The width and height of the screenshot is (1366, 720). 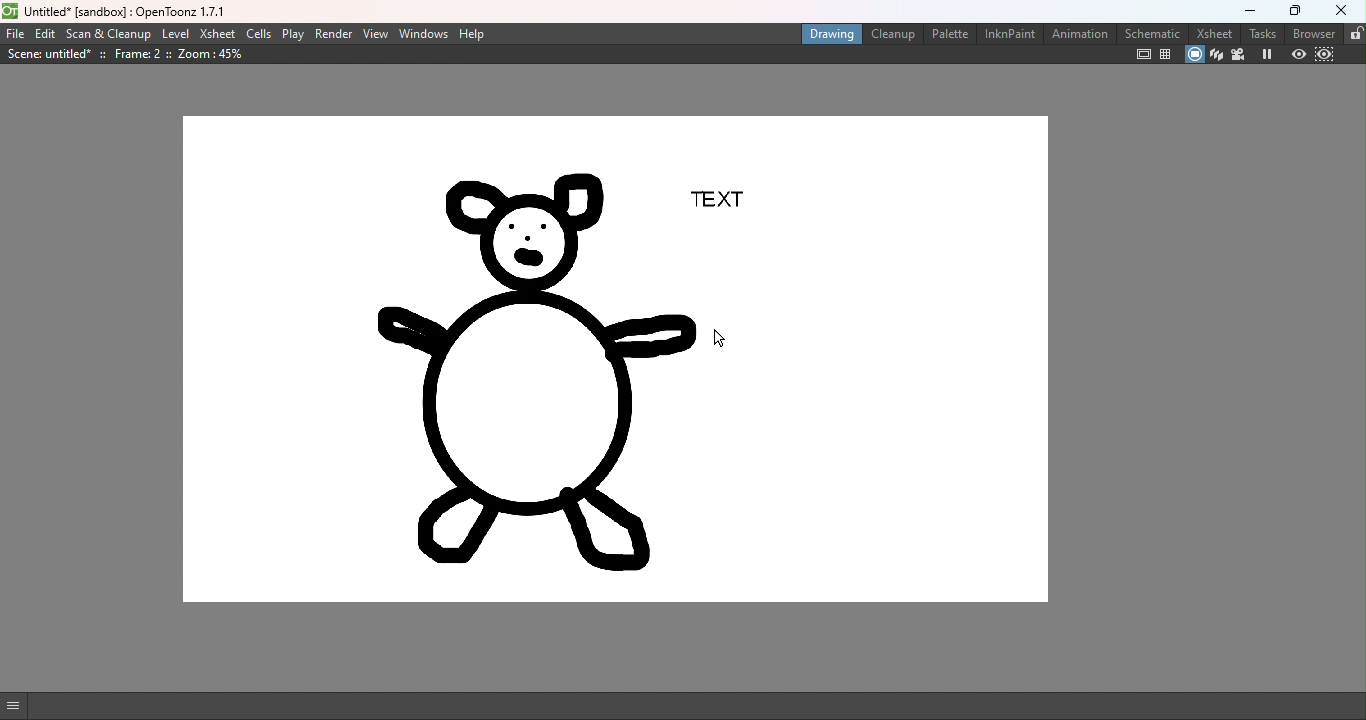 What do you see at coordinates (335, 33) in the screenshot?
I see `Render` at bounding box center [335, 33].